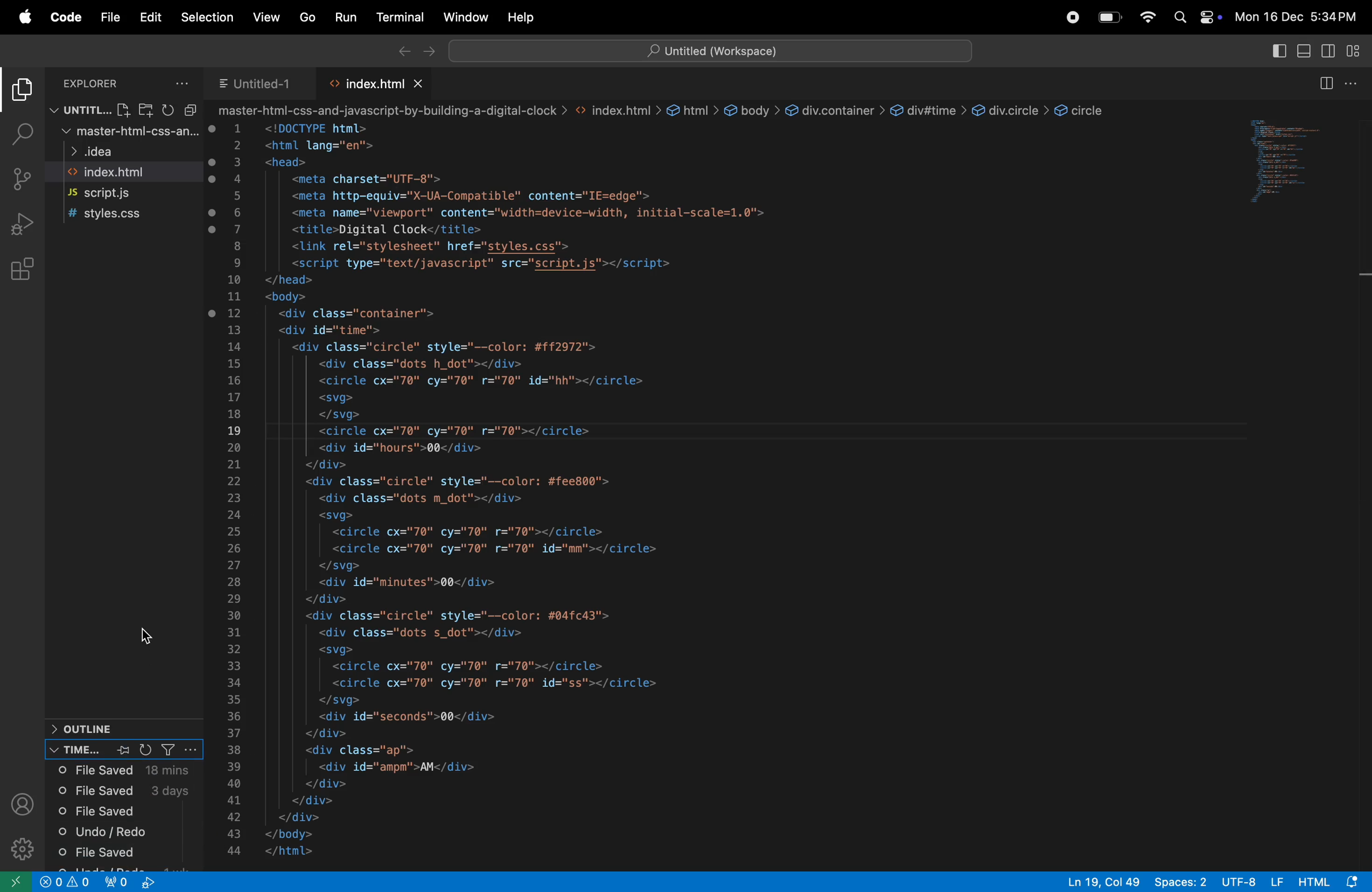 This screenshot has height=892, width=1372. What do you see at coordinates (91, 153) in the screenshot?
I see `idea` at bounding box center [91, 153].